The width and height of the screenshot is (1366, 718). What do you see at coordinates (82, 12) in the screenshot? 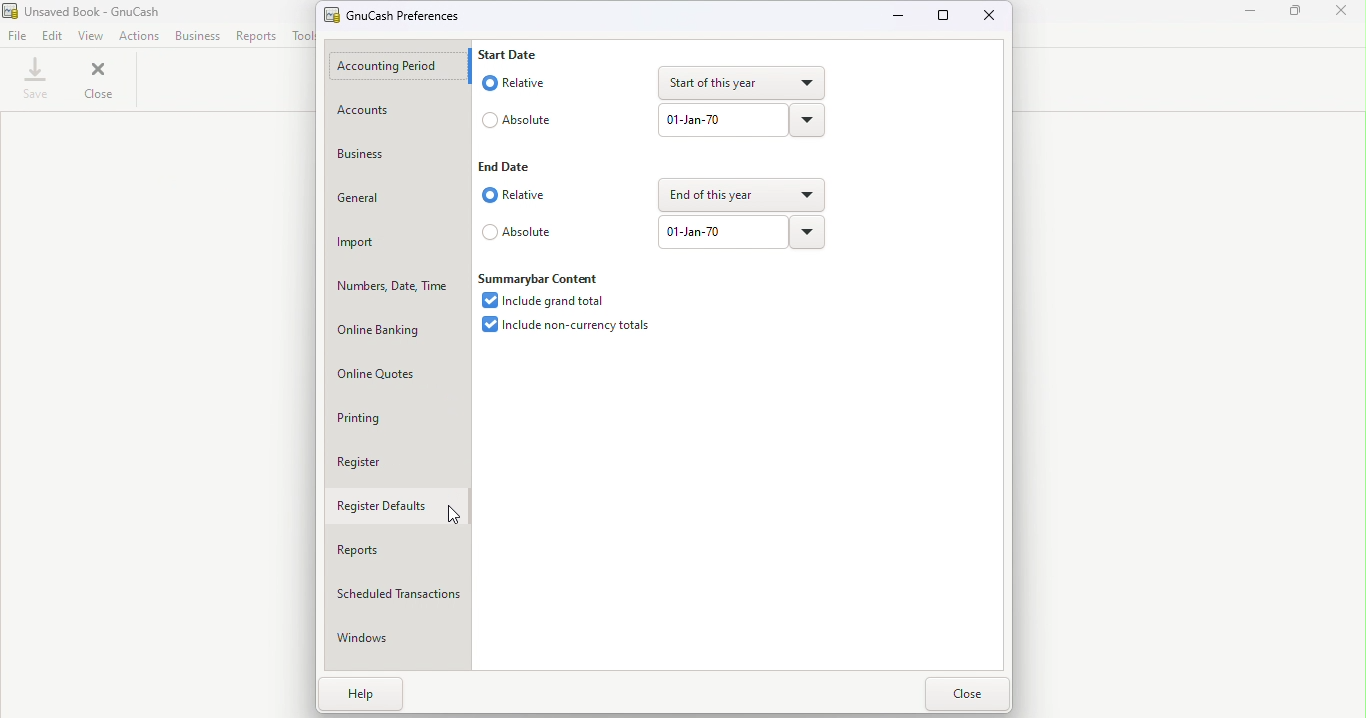
I see `file name` at bounding box center [82, 12].